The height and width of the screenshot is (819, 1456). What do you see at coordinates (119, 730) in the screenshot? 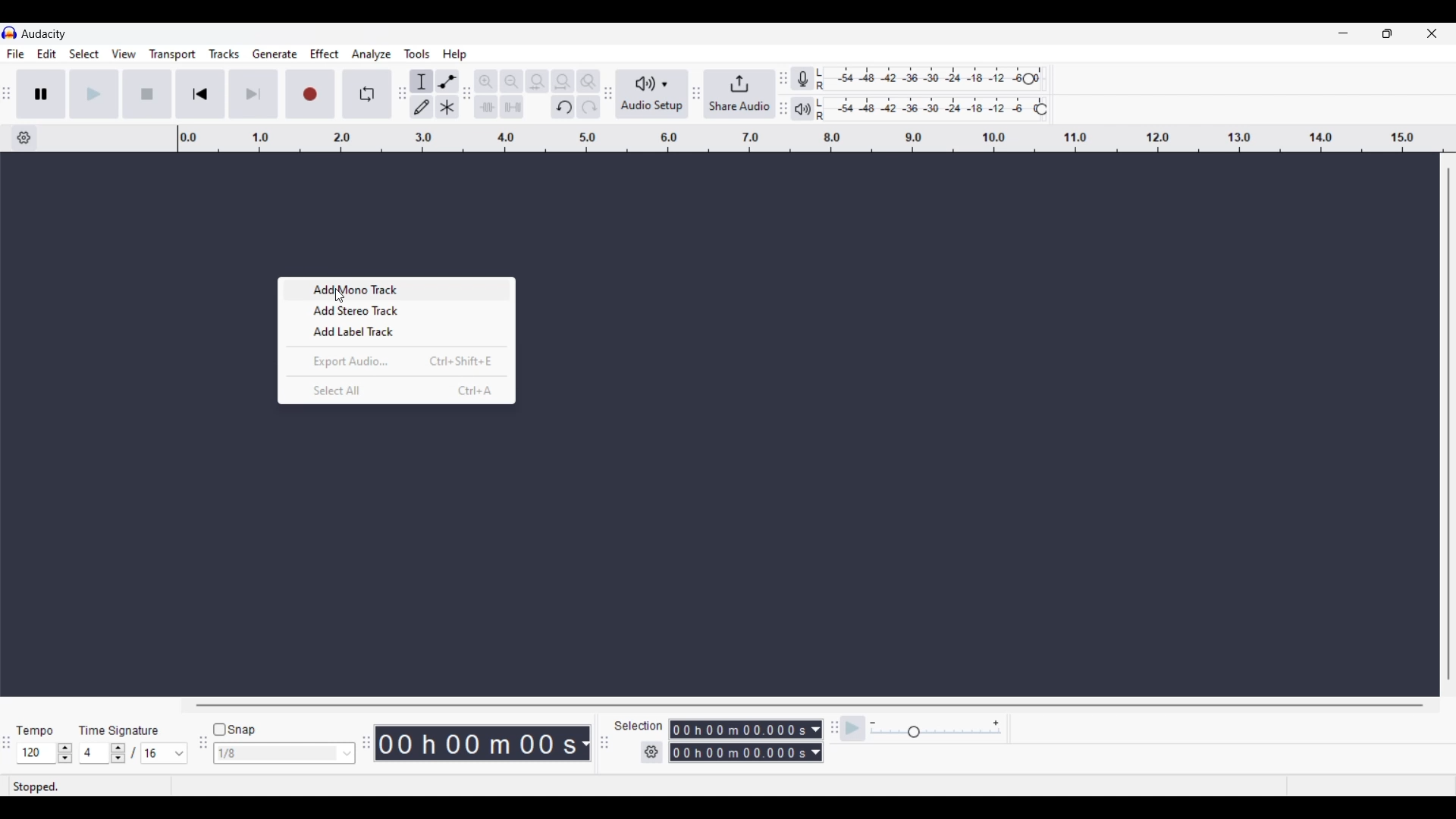
I see `Text` at bounding box center [119, 730].